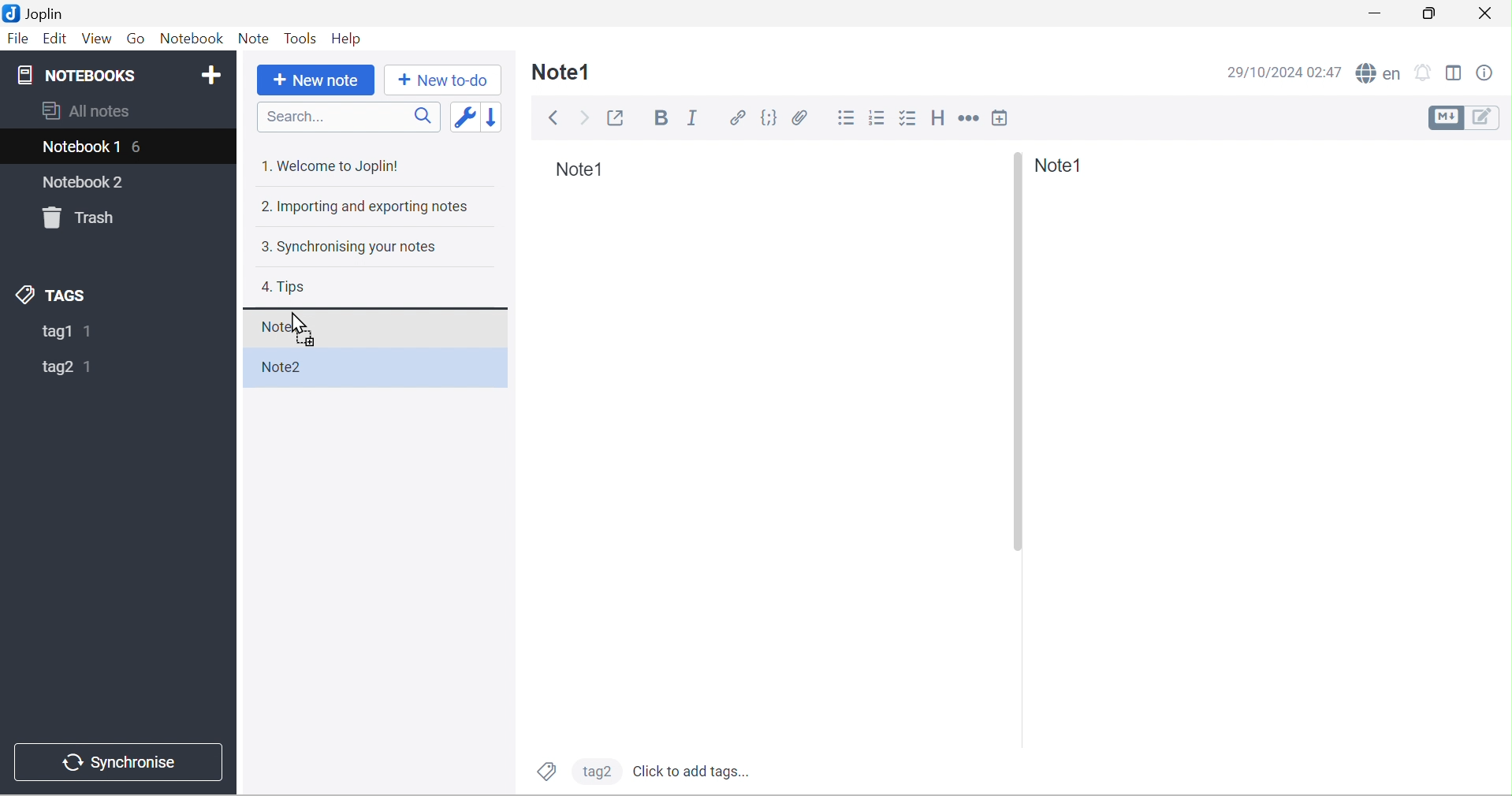 The image size is (1512, 796). Describe the element at coordinates (546, 772) in the screenshot. I see `Tags` at that location.